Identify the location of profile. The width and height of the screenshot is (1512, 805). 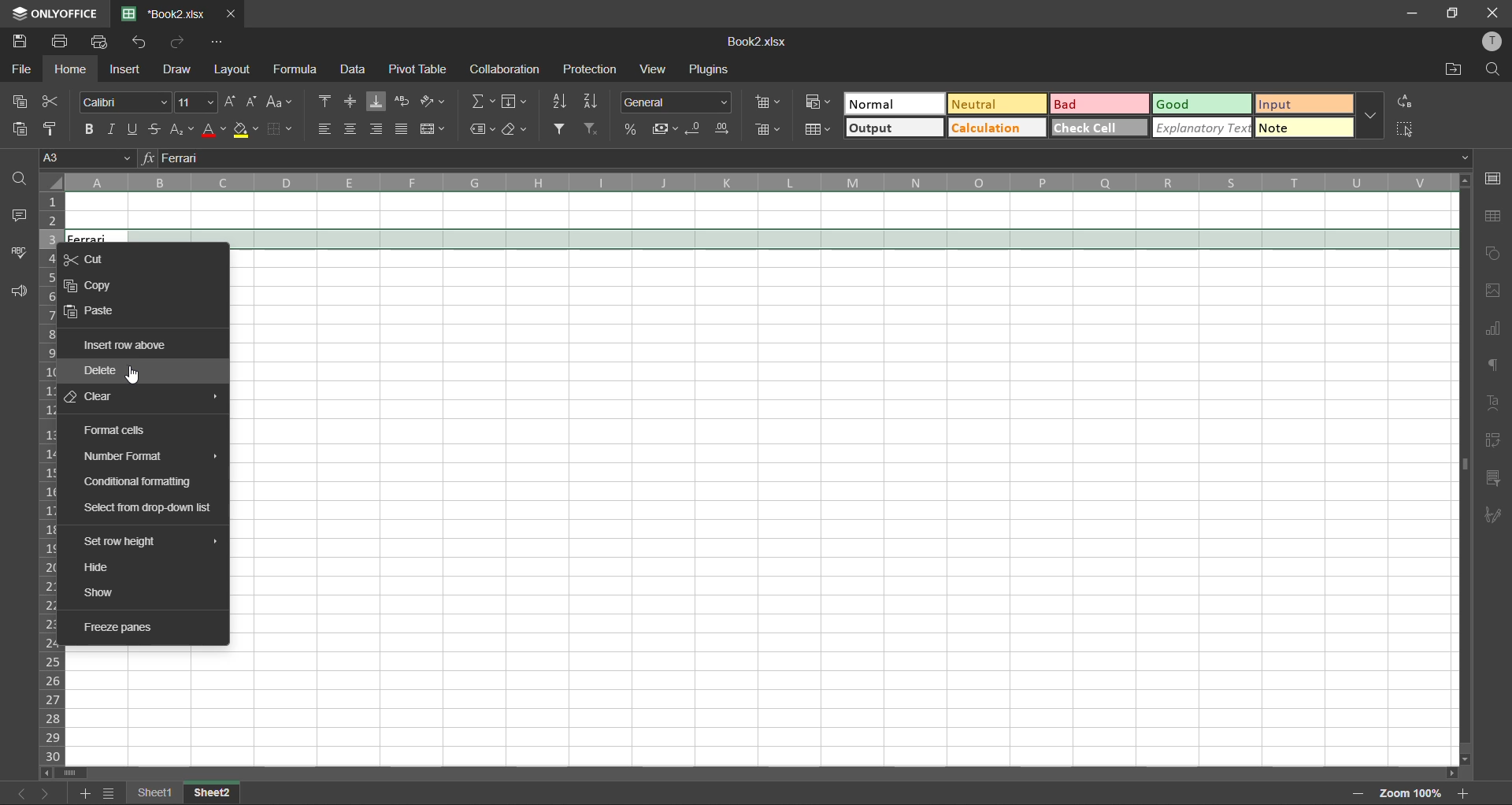
(1490, 42).